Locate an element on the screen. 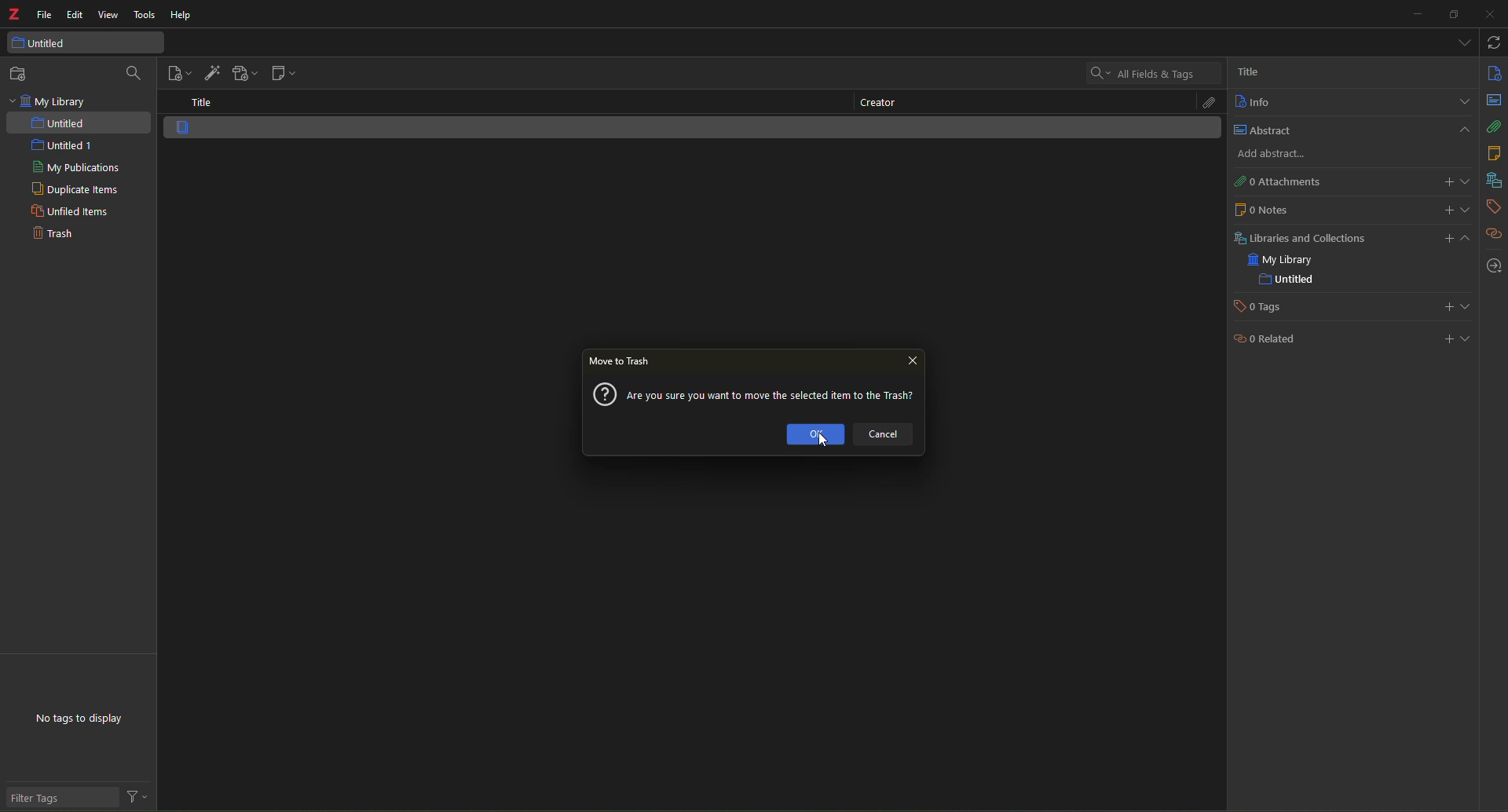 The image size is (1508, 812). untitled 1 is located at coordinates (55, 145).